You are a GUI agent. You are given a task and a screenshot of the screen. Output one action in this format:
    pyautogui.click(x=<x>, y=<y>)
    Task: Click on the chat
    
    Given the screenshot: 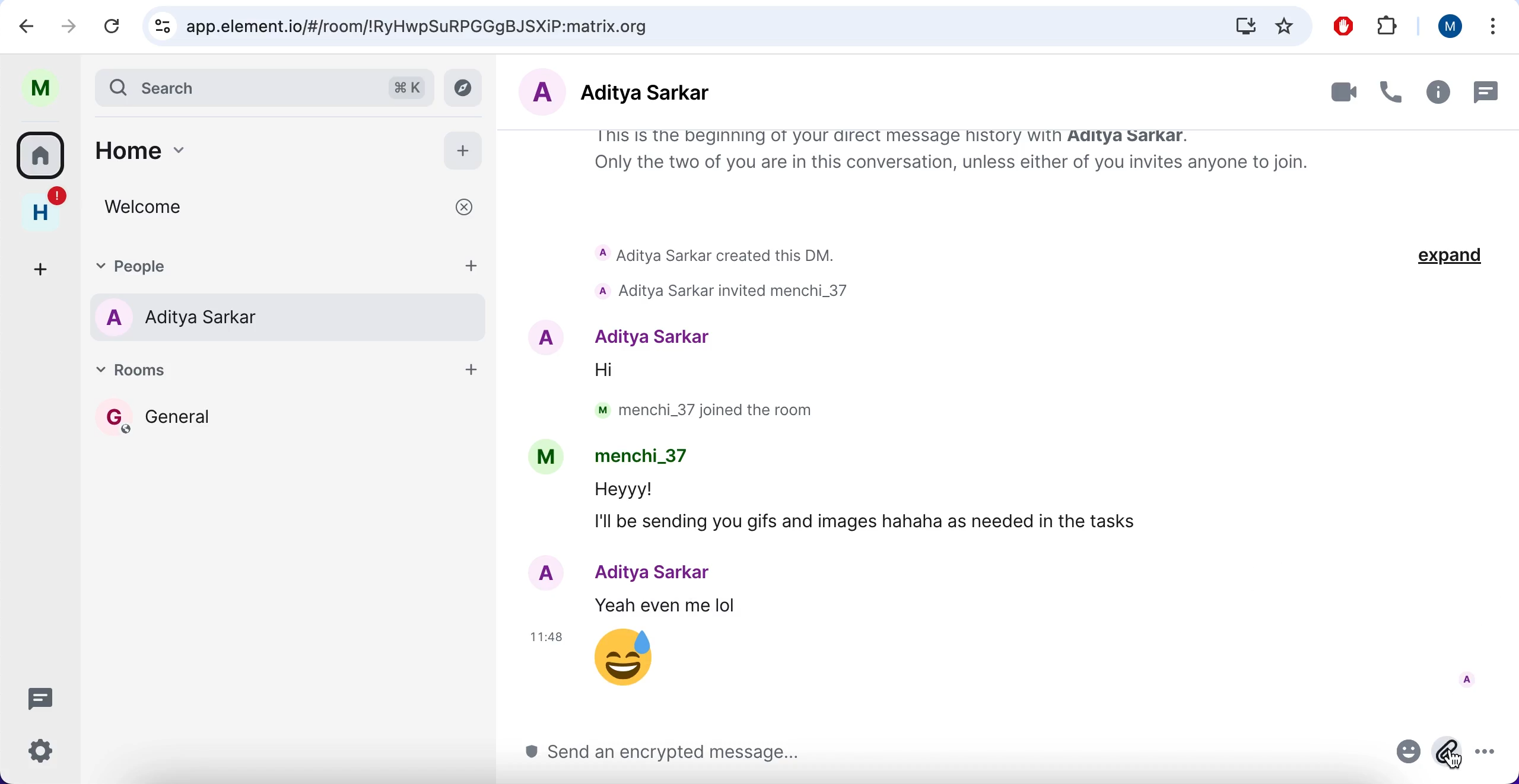 What is the action you would take?
    pyautogui.click(x=1485, y=91)
    